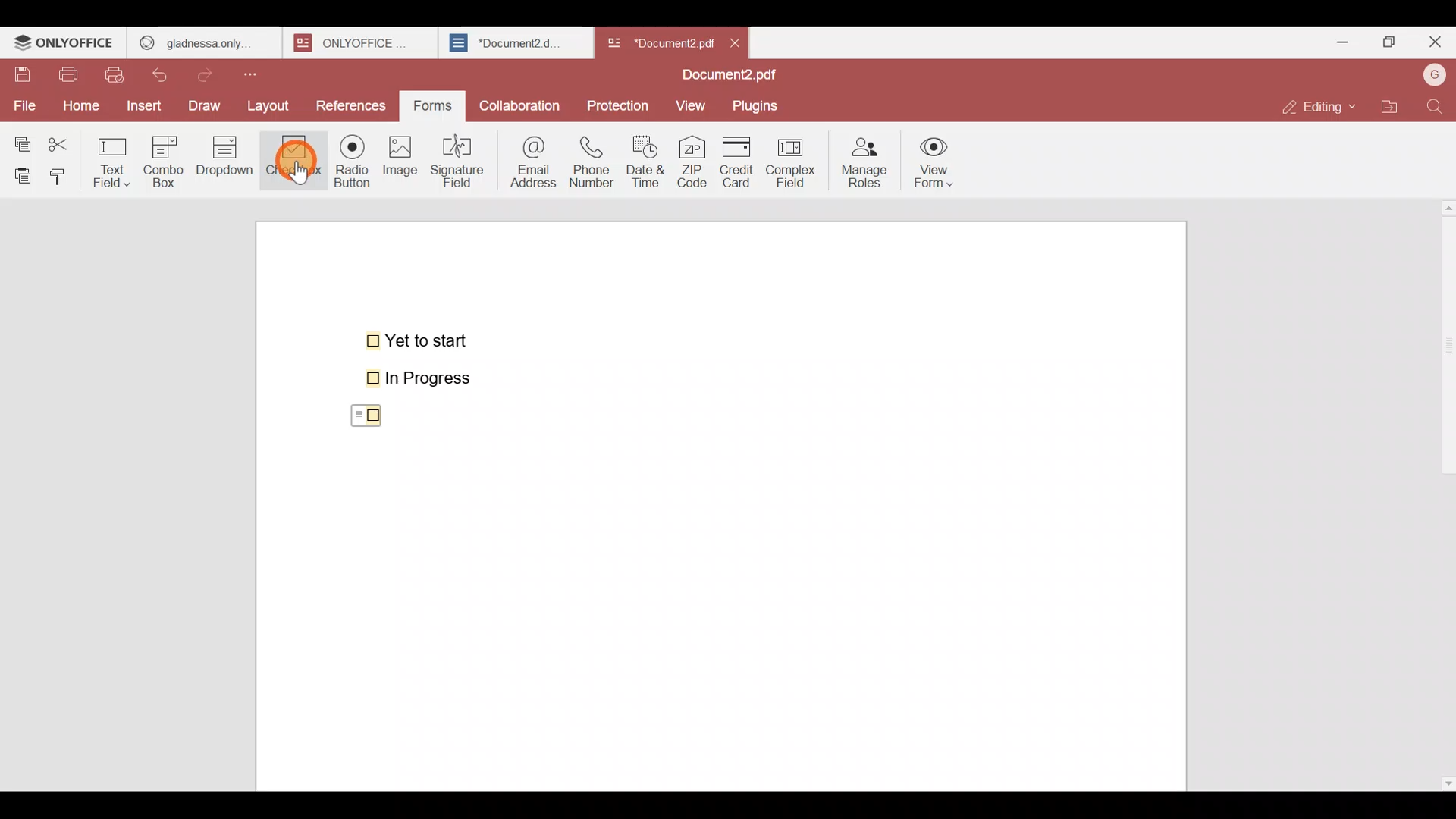 This screenshot has width=1456, height=819. What do you see at coordinates (20, 174) in the screenshot?
I see `Paste` at bounding box center [20, 174].